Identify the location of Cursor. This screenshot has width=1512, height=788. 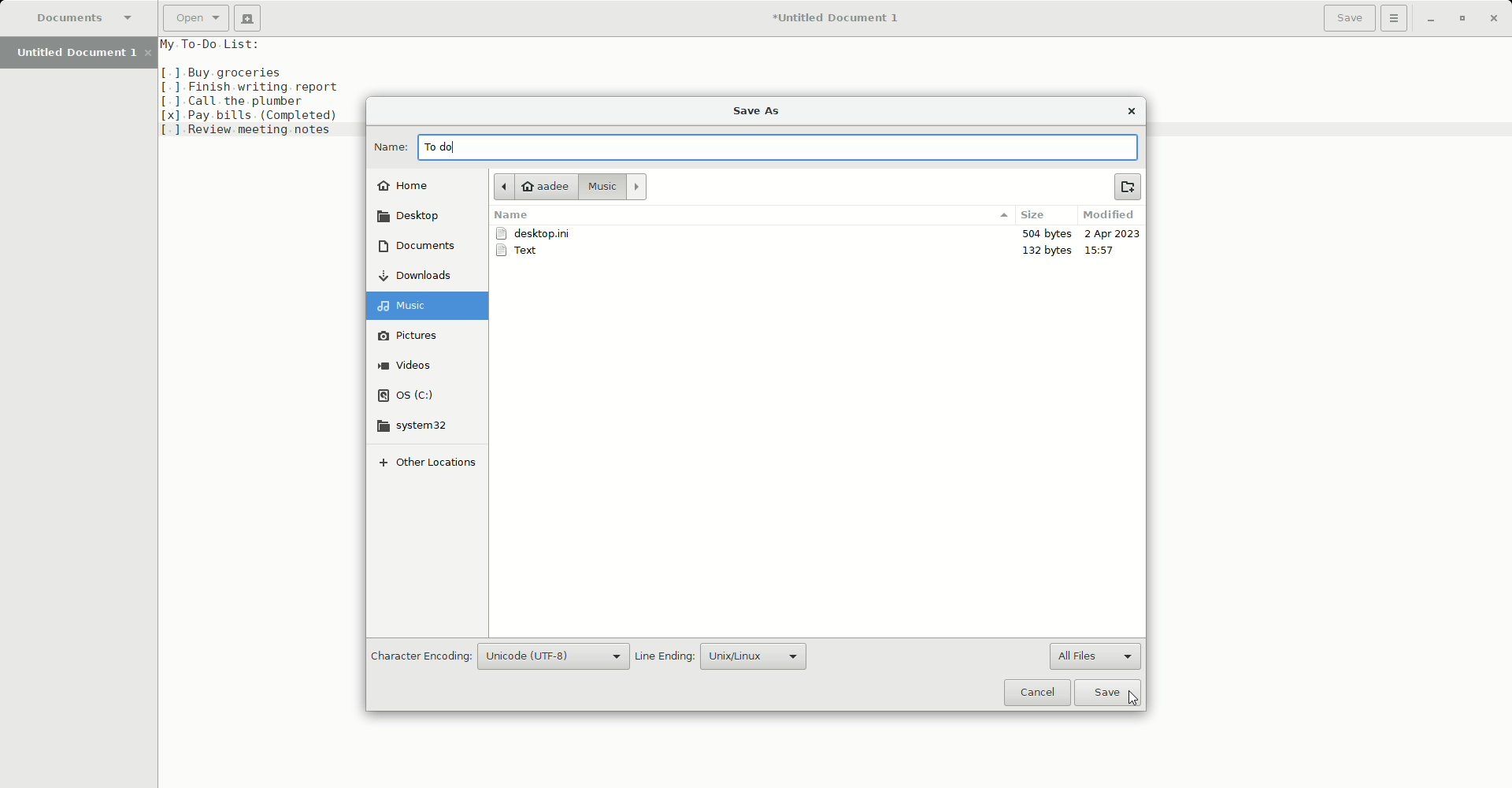
(1135, 699).